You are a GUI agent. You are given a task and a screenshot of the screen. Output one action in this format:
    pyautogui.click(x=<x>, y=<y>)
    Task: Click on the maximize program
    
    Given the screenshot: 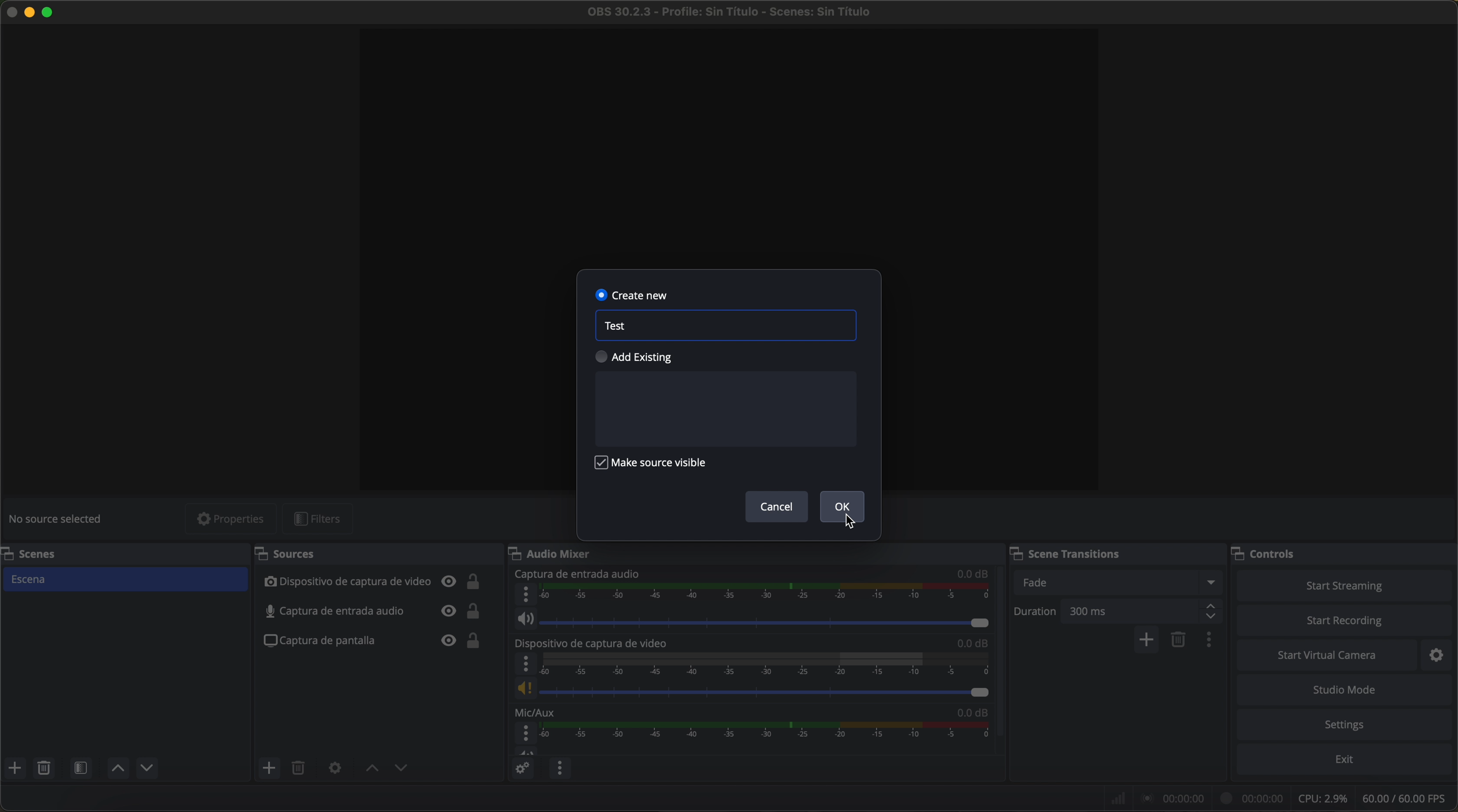 What is the action you would take?
    pyautogui.click(x=50, y=11)
    